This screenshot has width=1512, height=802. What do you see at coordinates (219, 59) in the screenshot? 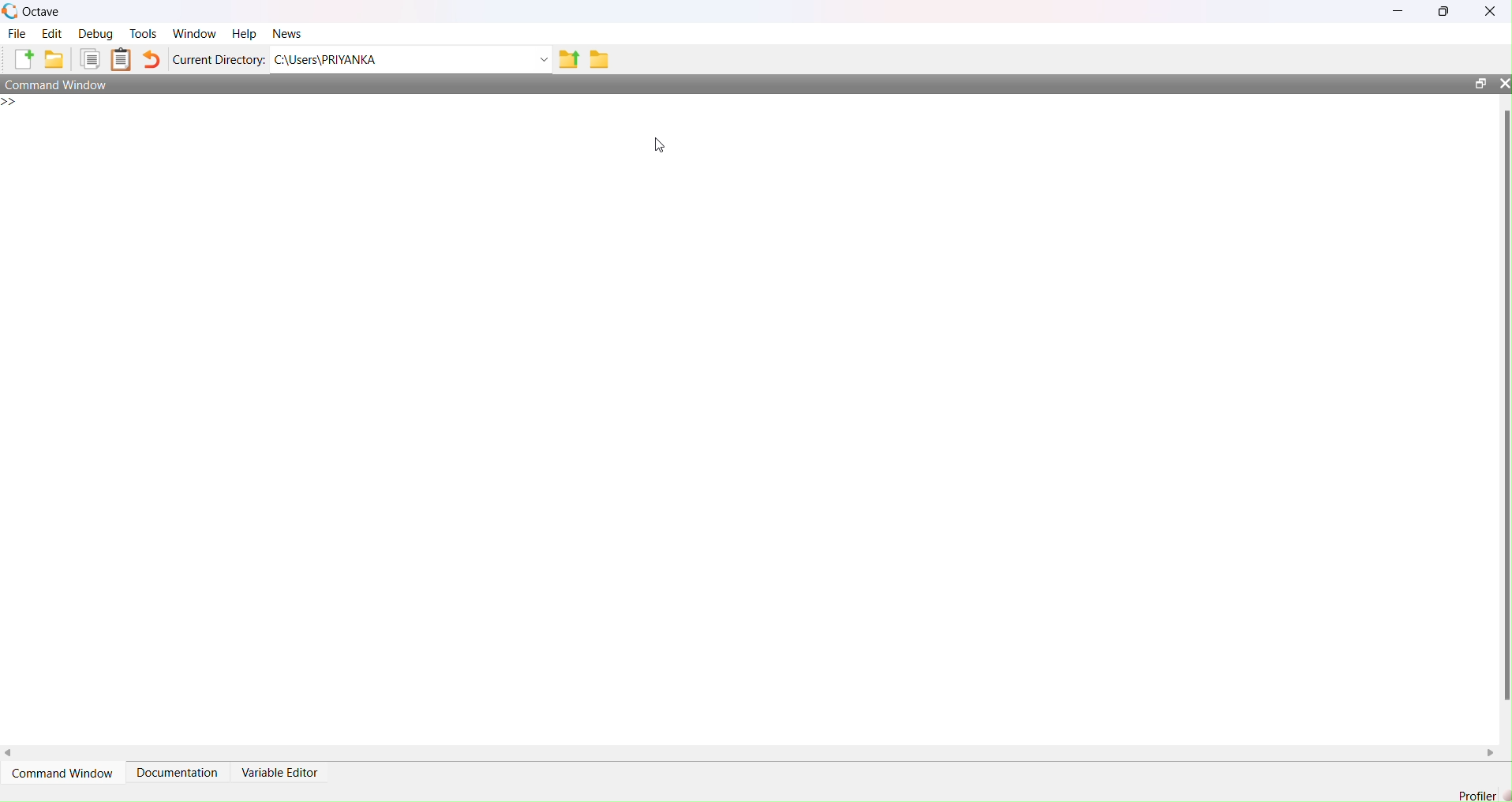
I see `Current Directory:` at bounding box center [219, 59].